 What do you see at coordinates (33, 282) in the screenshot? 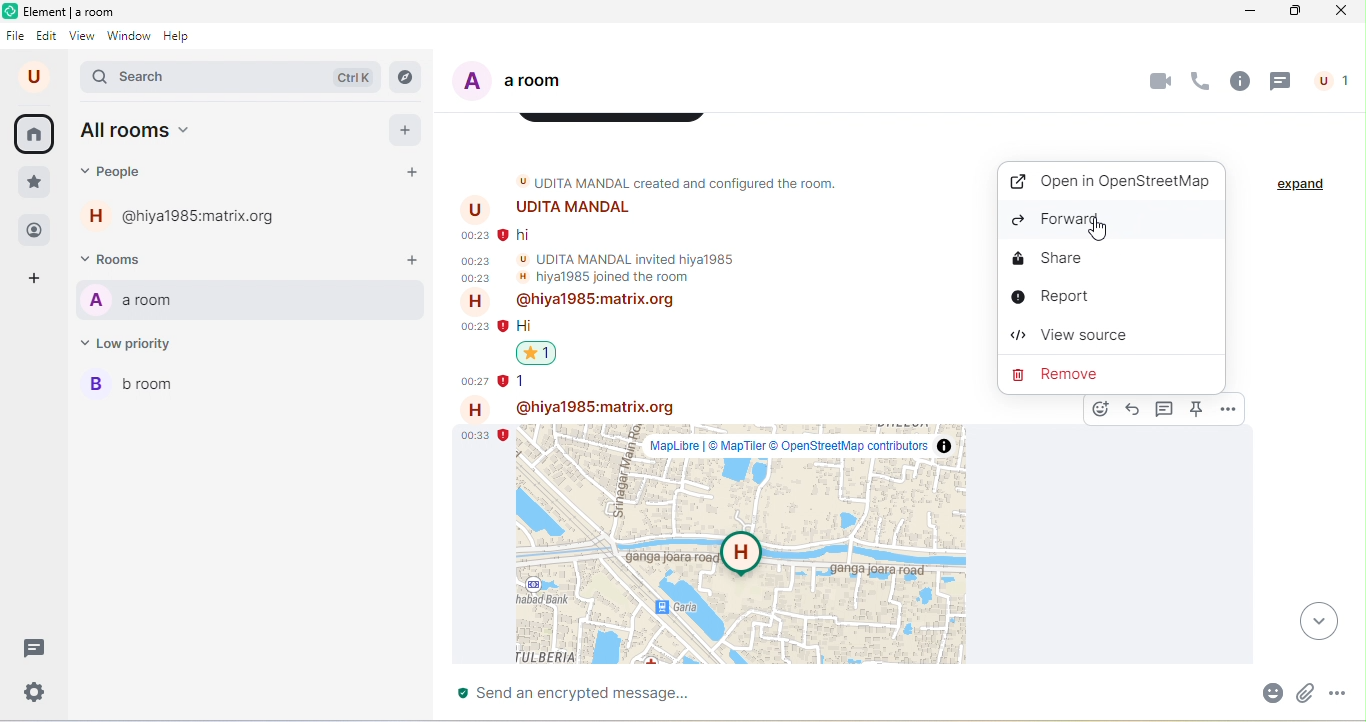
I see `add space` at bounding box center [33, 282].